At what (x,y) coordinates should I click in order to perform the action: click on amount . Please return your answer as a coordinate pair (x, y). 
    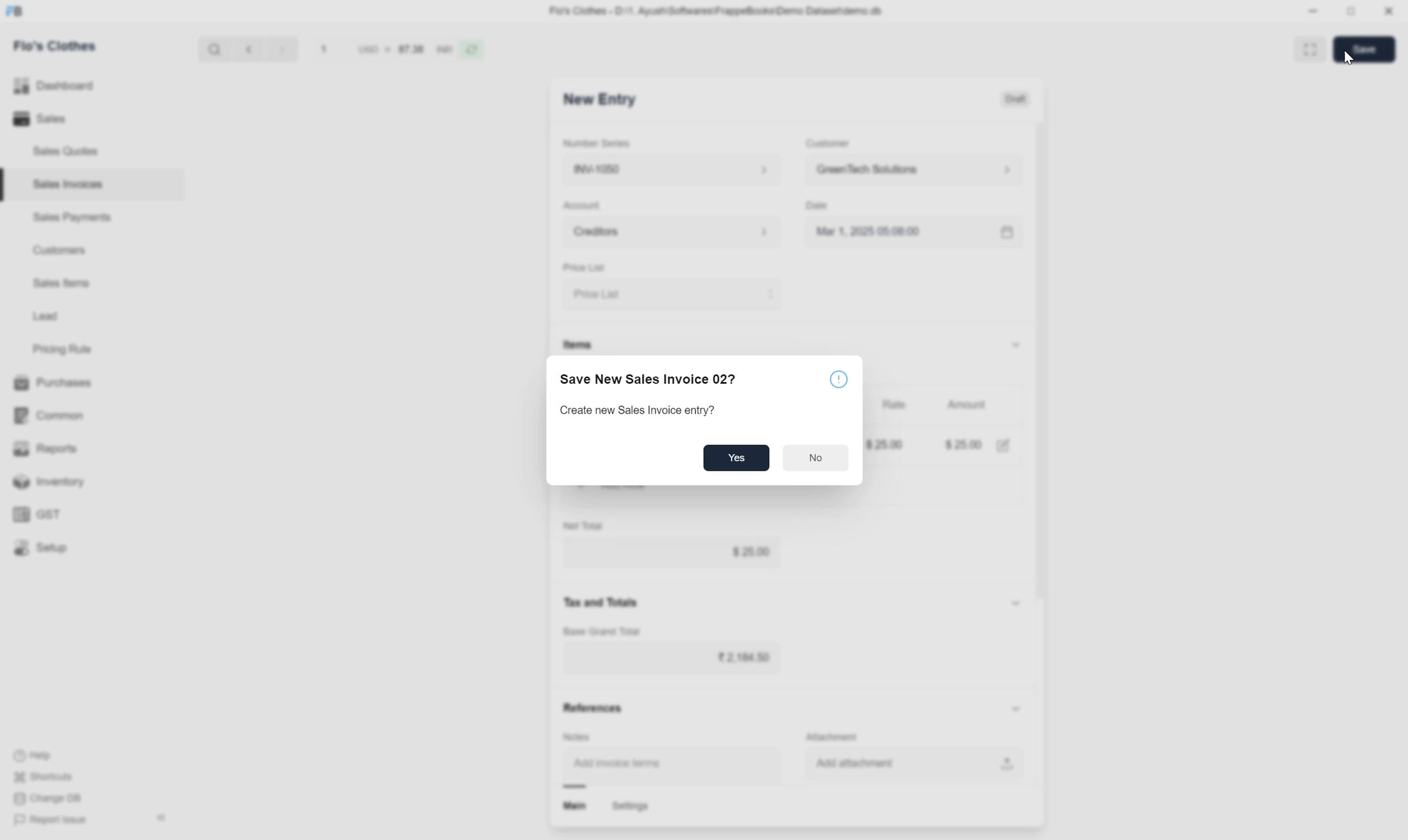
    Looking at the image, I should click on (958, 445).